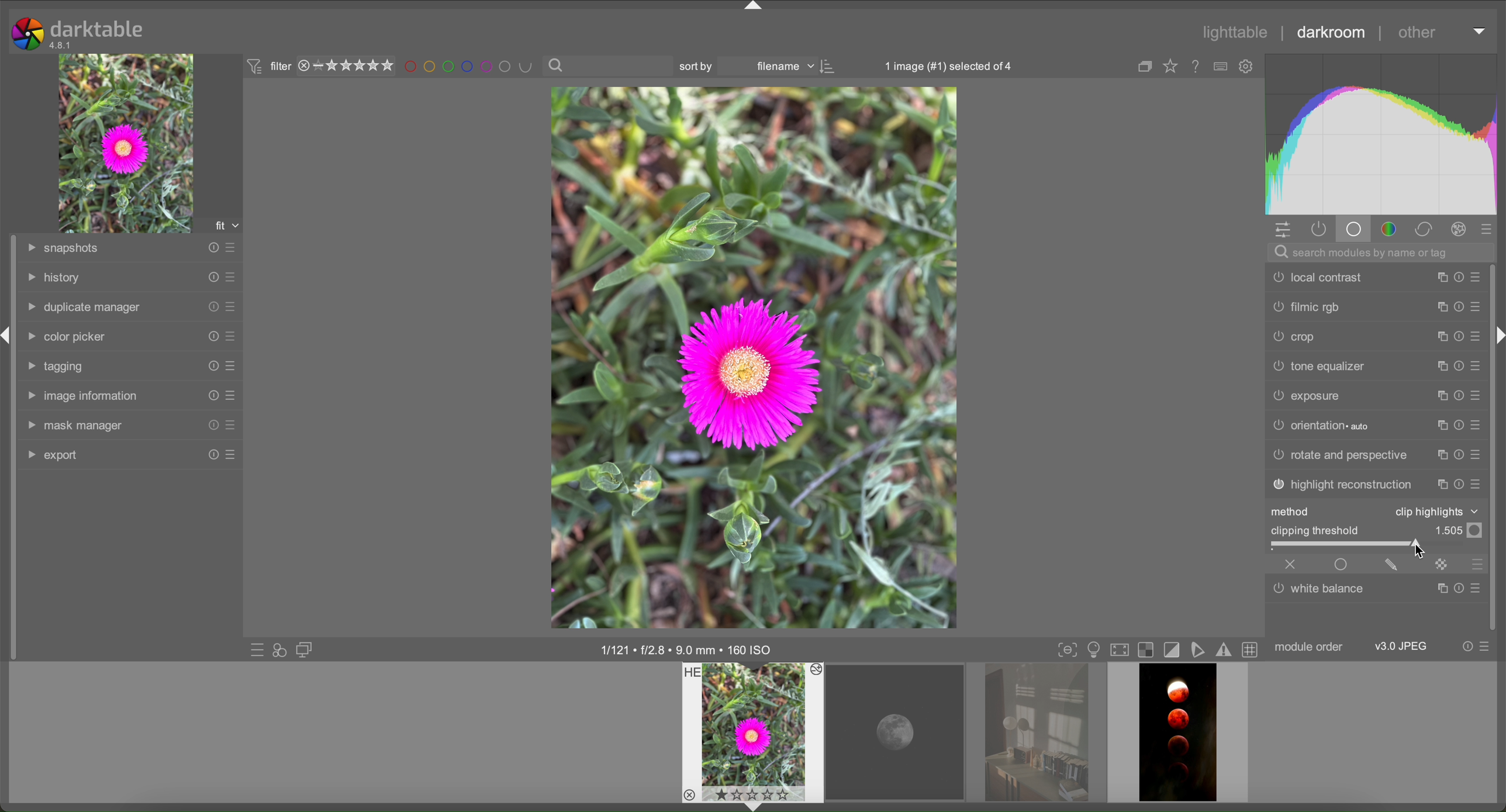 Image resolution: width=1506 pixels, height=812 pixels. Describe the element at coordinates (1284, 230) in the screenshot. I see `settings` at that location.